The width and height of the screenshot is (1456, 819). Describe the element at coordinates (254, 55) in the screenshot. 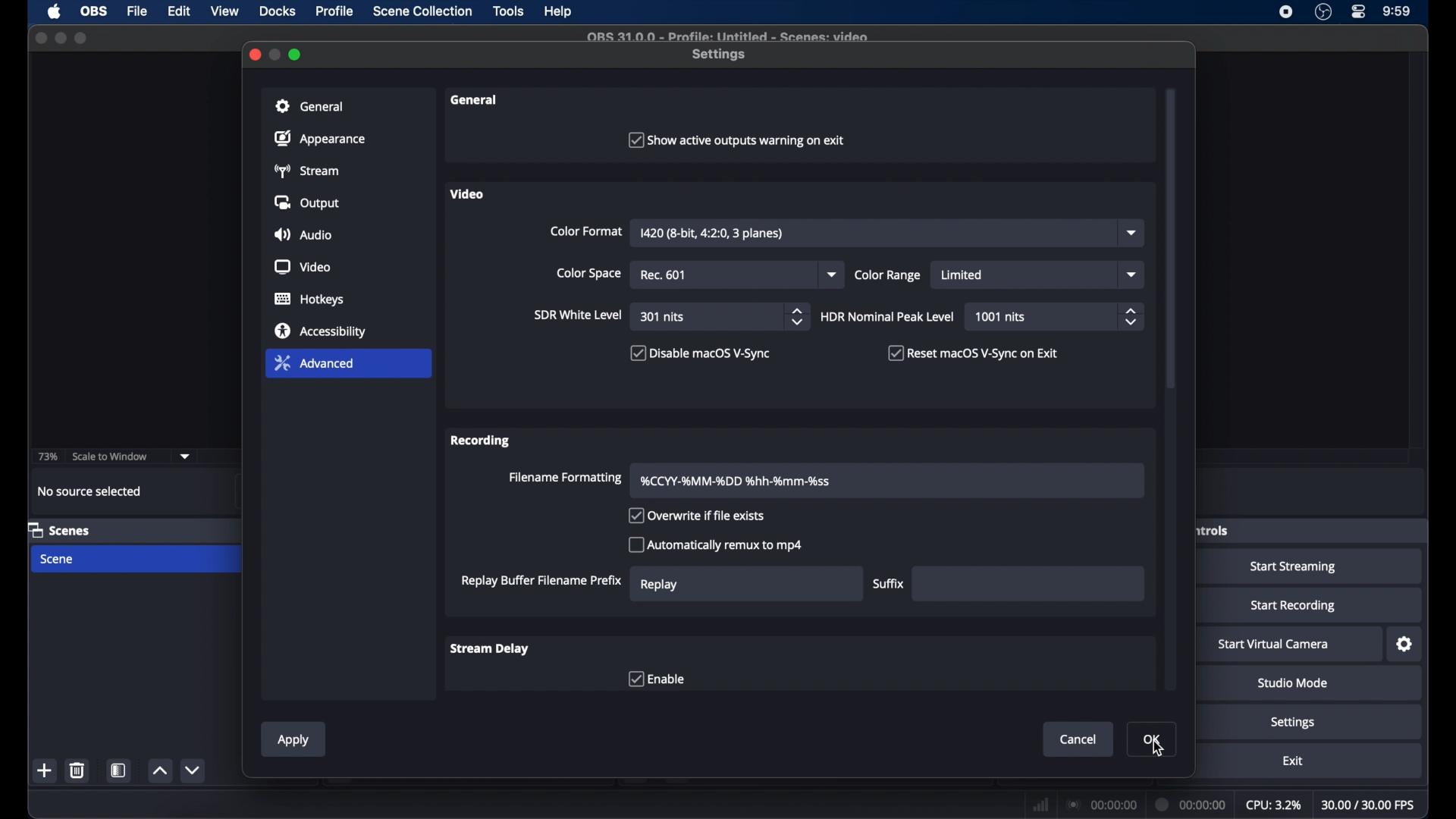

I see `close` at that location.